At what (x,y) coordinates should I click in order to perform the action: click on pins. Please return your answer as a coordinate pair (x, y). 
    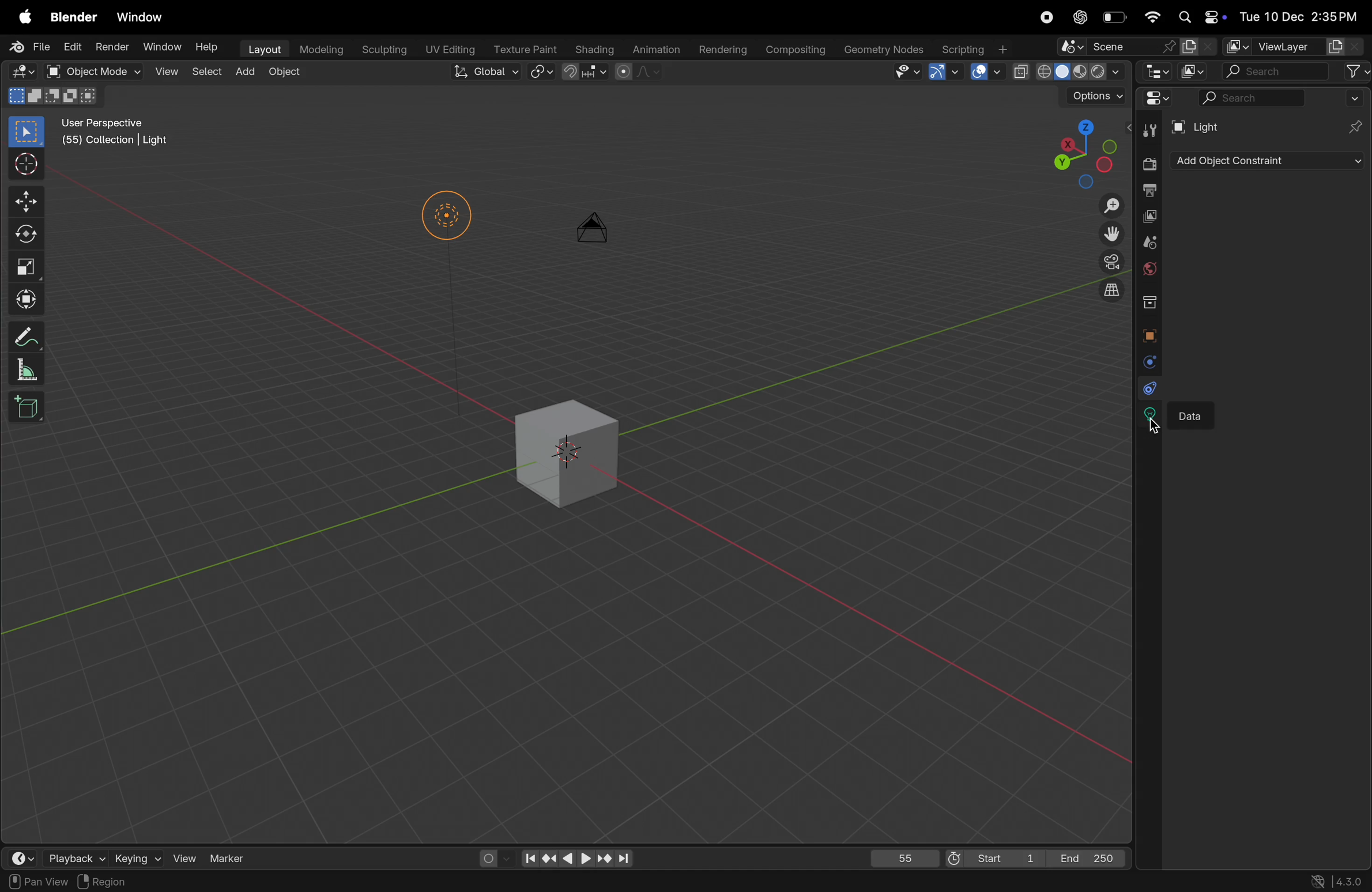
    Looking at the image, I should click on (1356, 126).